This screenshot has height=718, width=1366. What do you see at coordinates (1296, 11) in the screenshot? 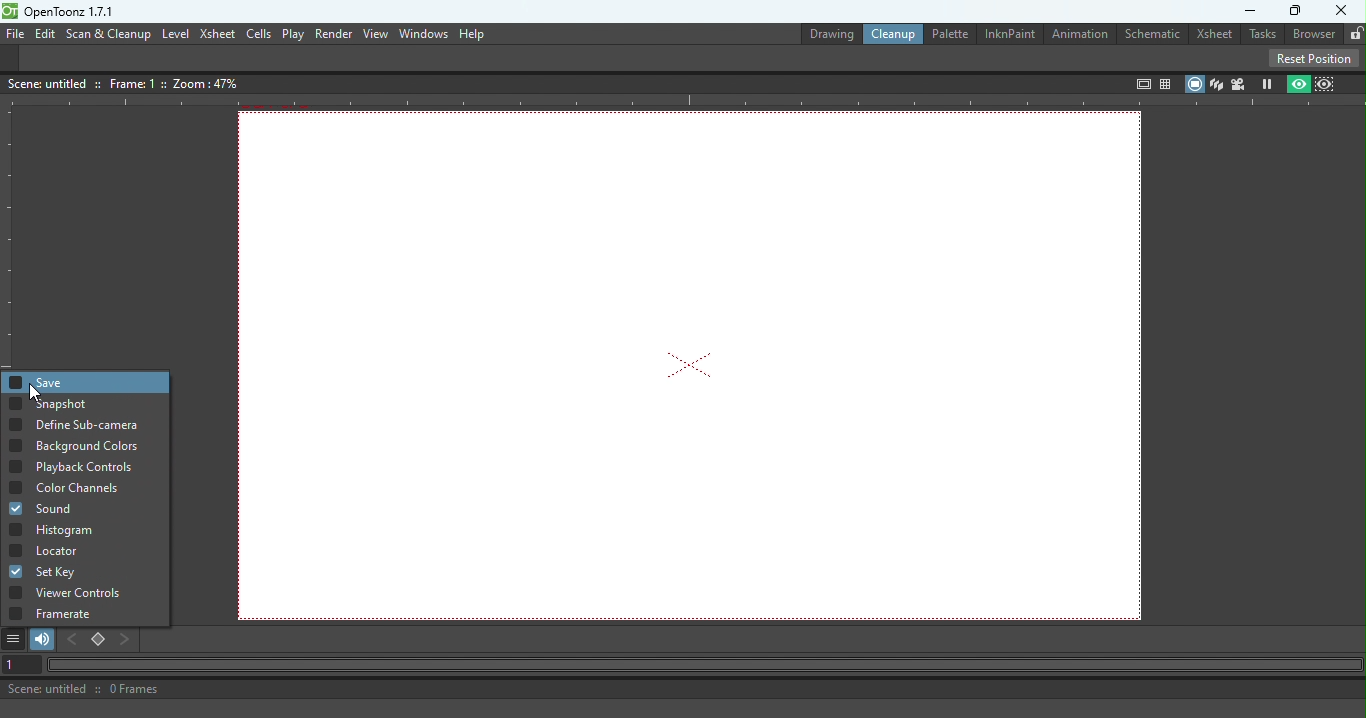
I see `Maximize` at bounding box center [1296, 11].